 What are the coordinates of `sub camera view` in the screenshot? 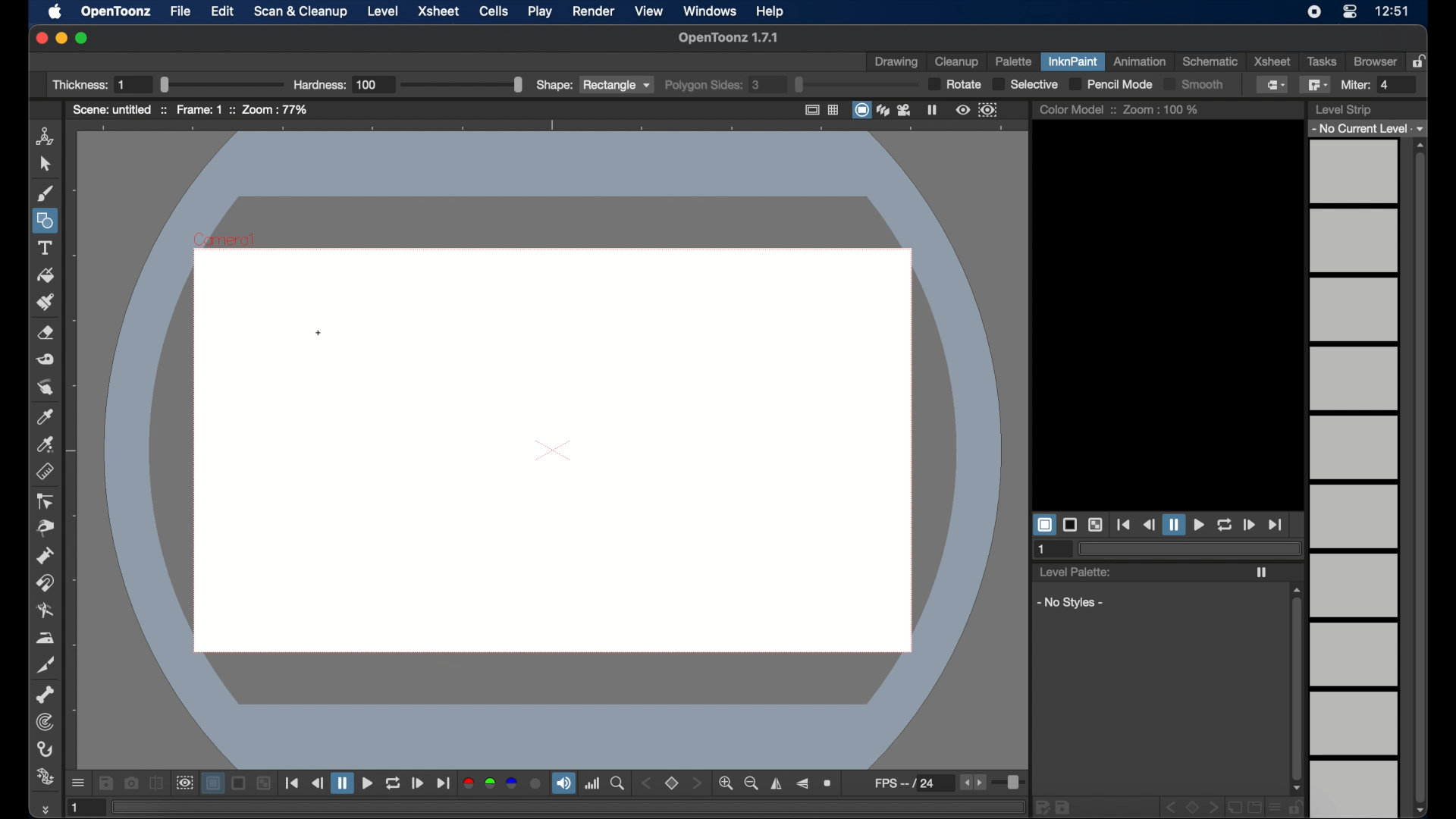 It's located at (184, 783).